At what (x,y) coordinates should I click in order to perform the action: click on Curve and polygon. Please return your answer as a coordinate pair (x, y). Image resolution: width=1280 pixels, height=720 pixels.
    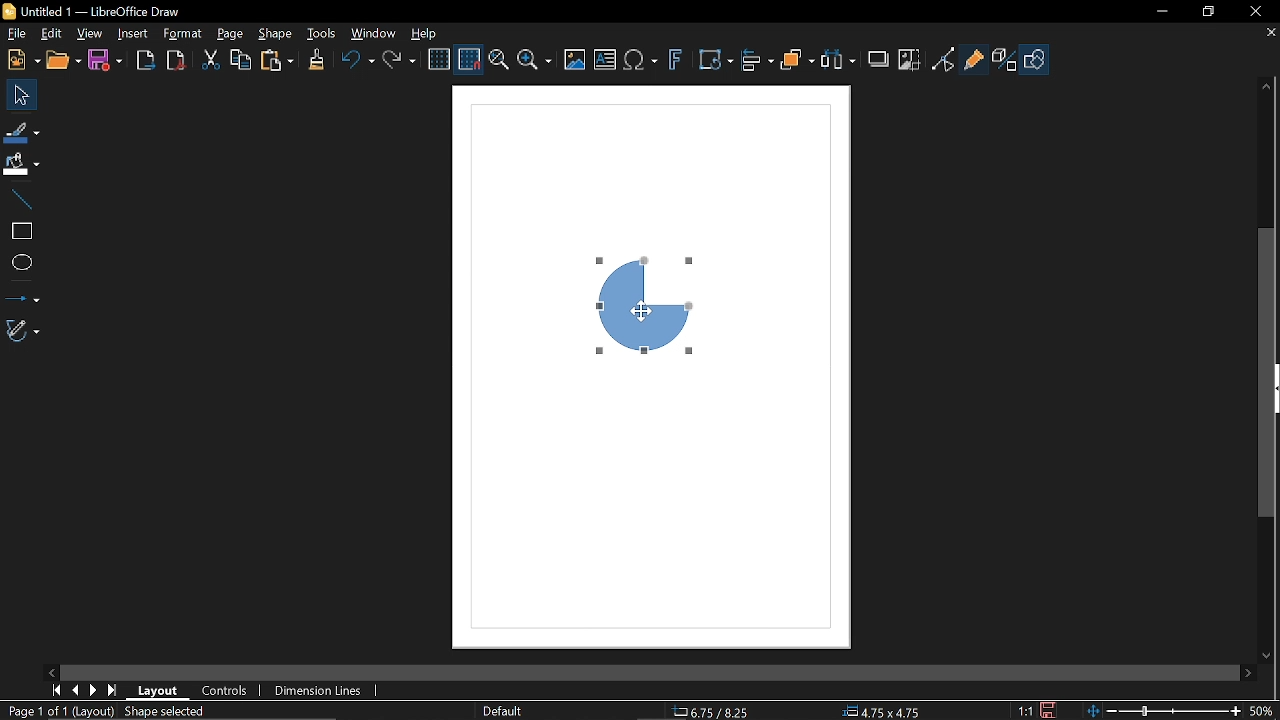
    Looking at the image, I should click on (24, 331).